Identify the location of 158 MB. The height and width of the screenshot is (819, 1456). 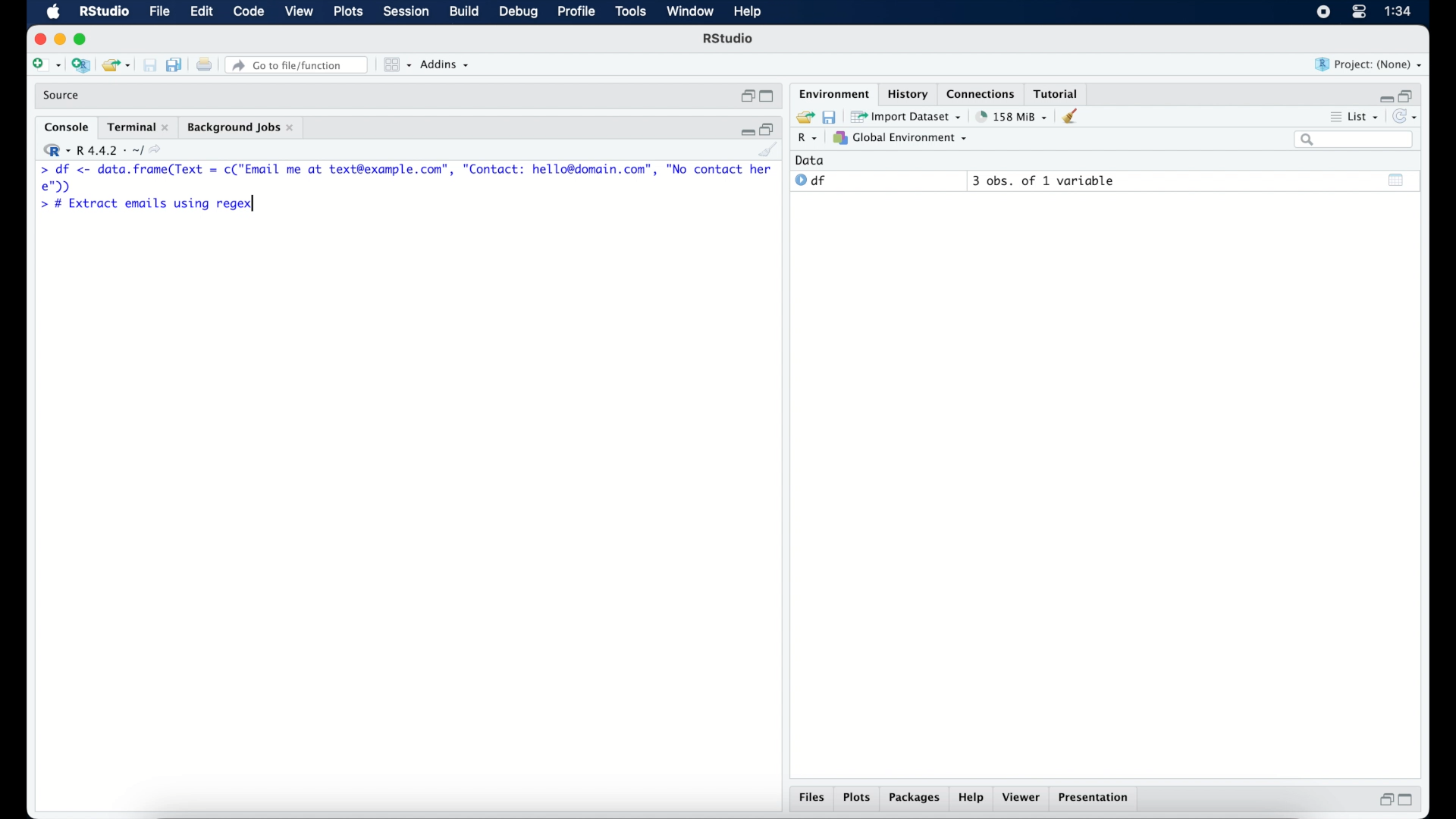
(1013, 116).